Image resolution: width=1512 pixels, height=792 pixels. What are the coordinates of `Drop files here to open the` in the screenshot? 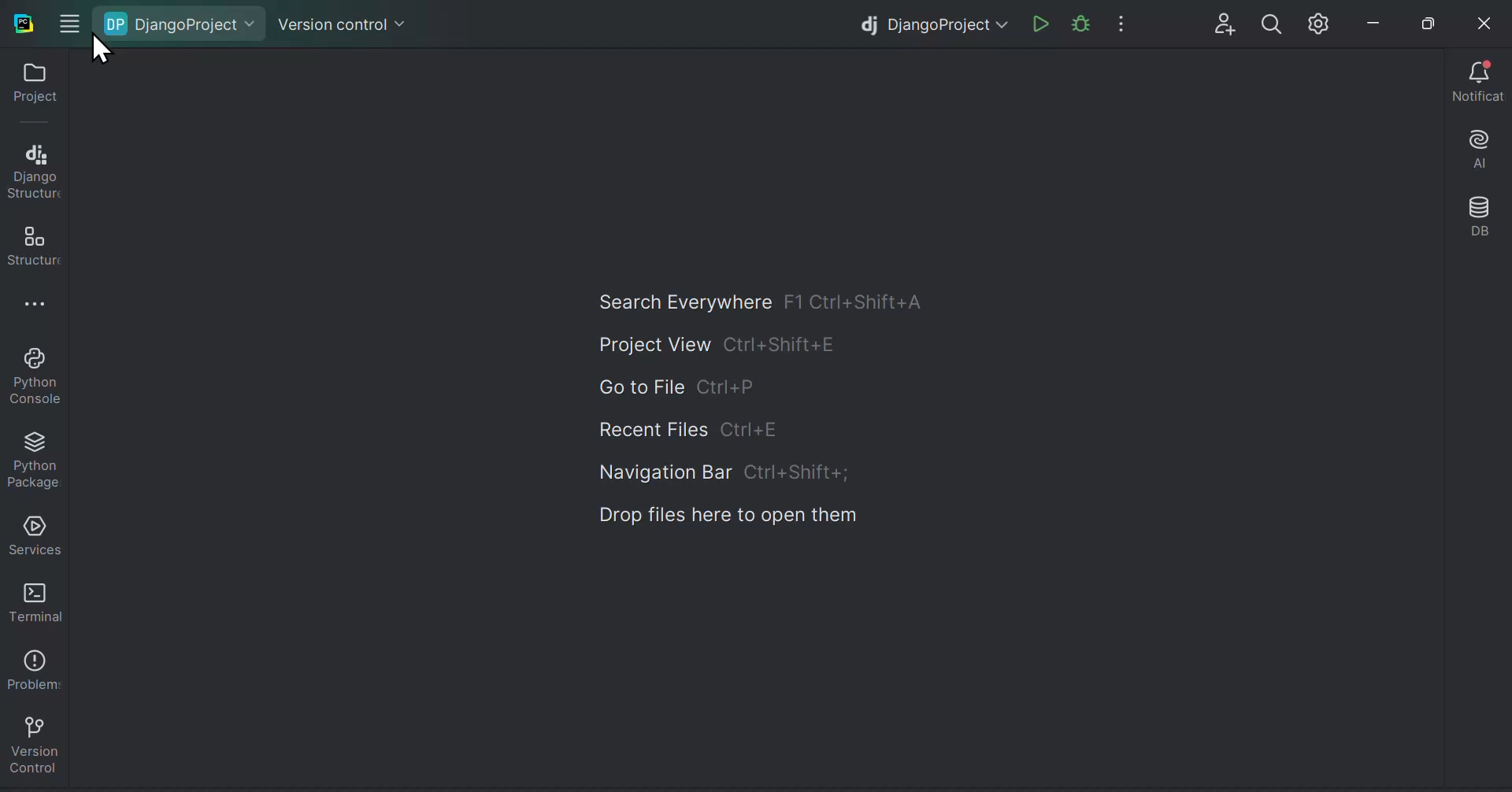 It's located at (731, 516).